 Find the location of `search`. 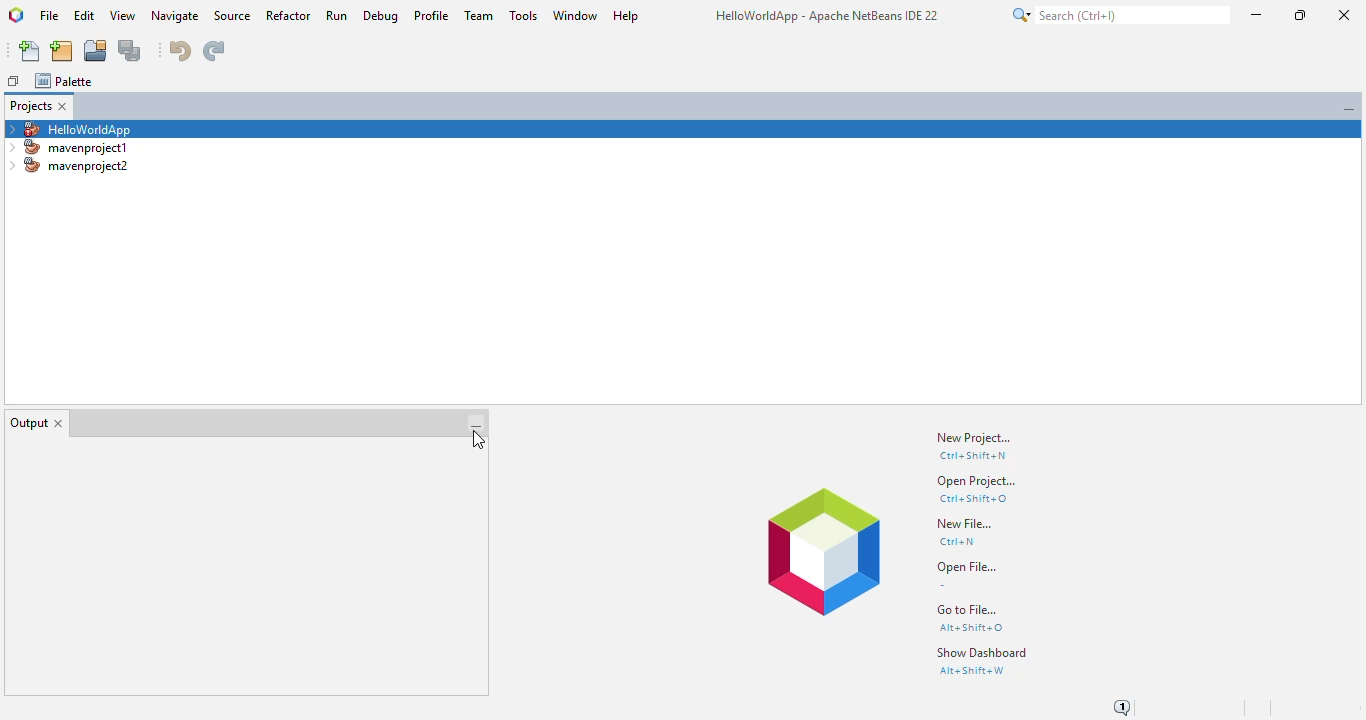

search is located at coordinates (1119, 15).